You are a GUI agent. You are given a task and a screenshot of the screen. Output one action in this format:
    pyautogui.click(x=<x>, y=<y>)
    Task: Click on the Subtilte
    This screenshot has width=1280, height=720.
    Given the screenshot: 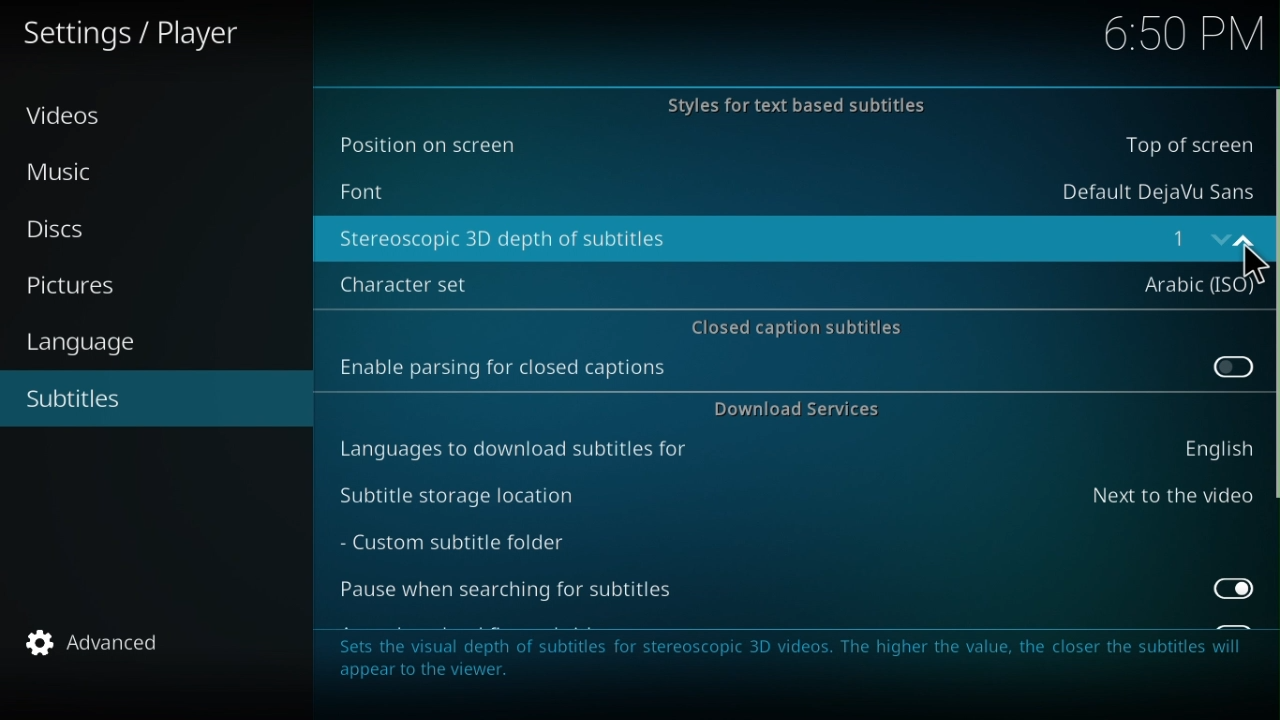 What is the action you would take?
    pyautogui.click(x=75, y=400)
    